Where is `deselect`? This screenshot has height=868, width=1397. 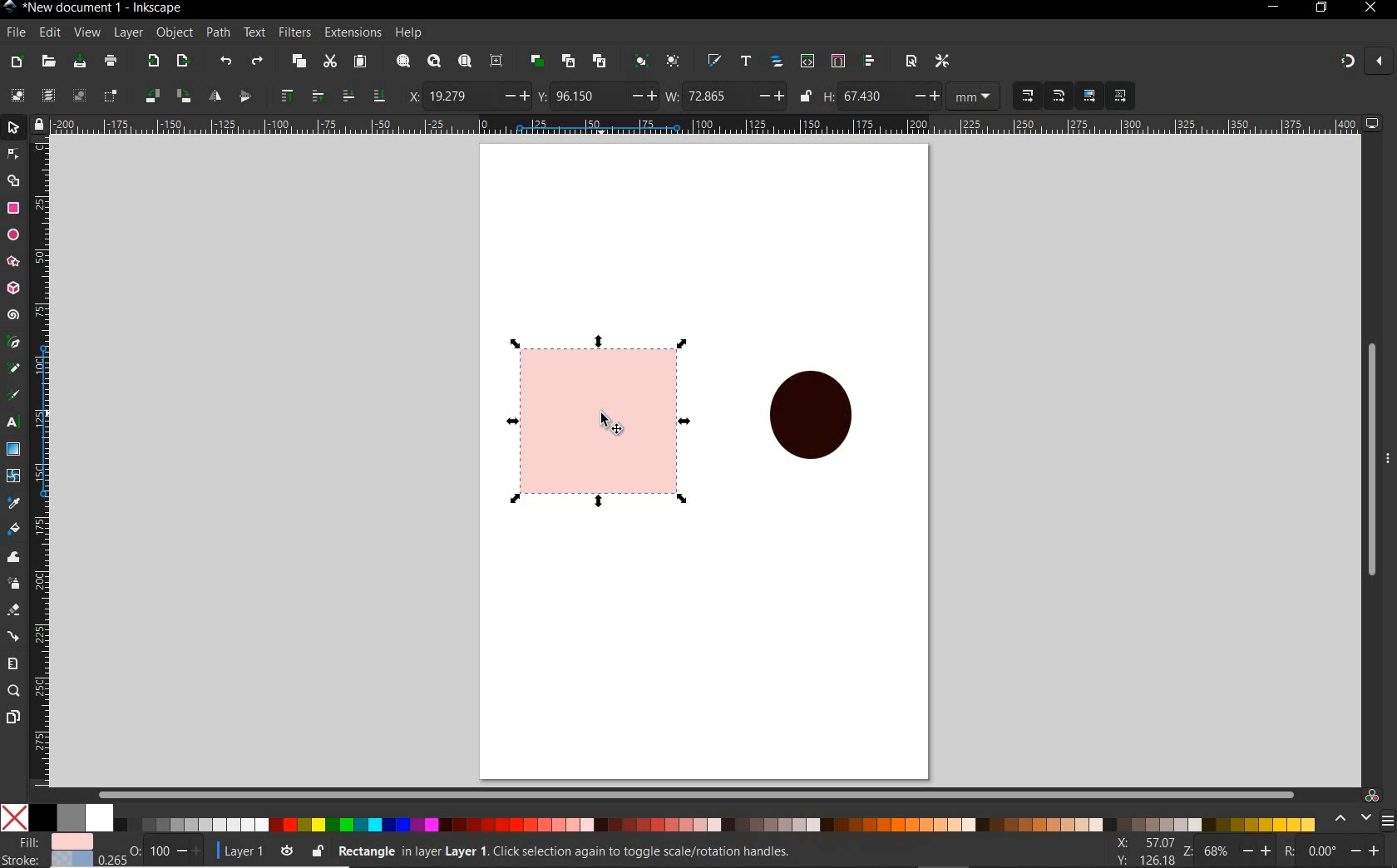 deselect is located at coordinates (79, 97).